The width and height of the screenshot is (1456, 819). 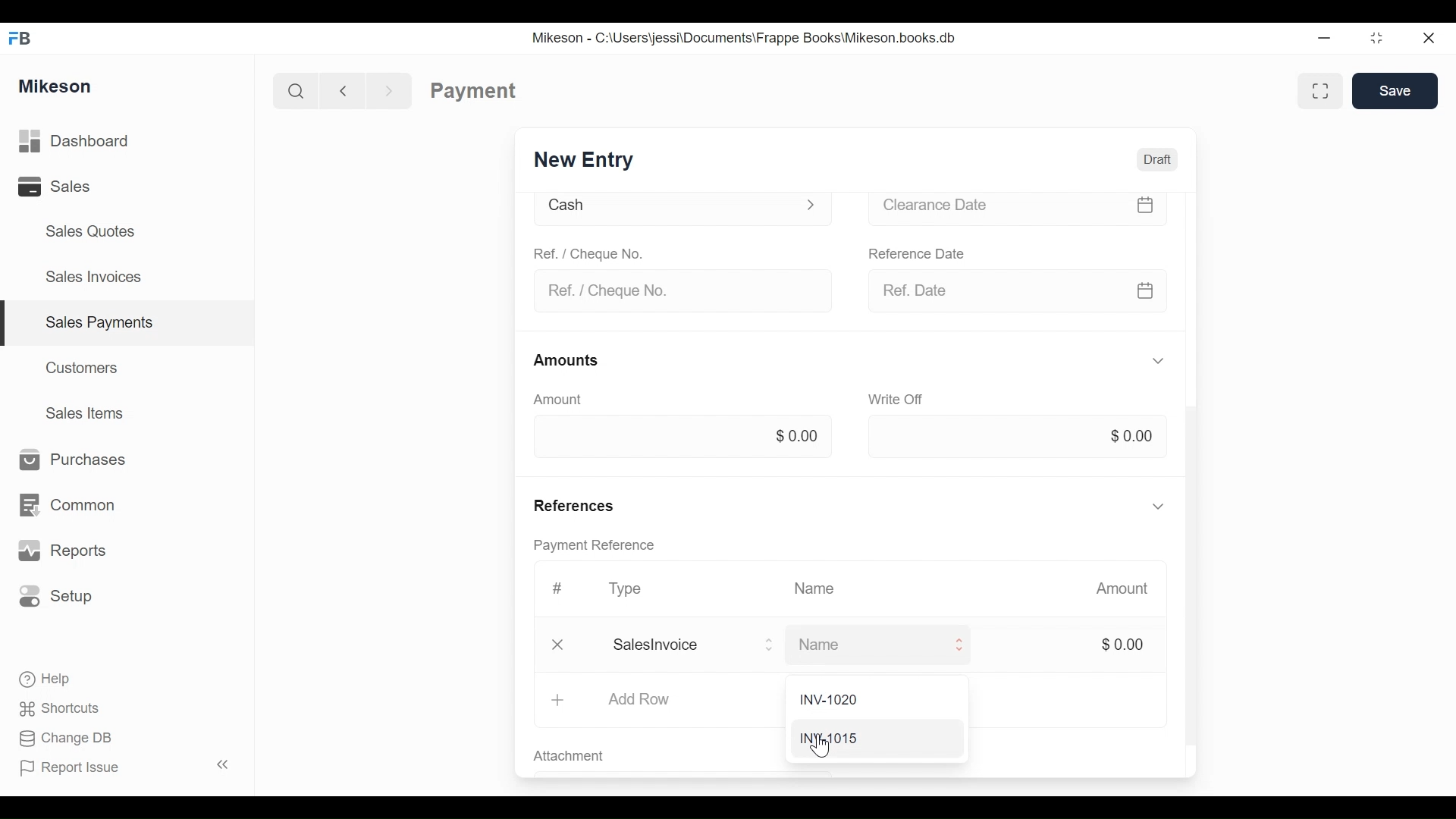 I want to click on Report Issue, so click(x=77, y=768).